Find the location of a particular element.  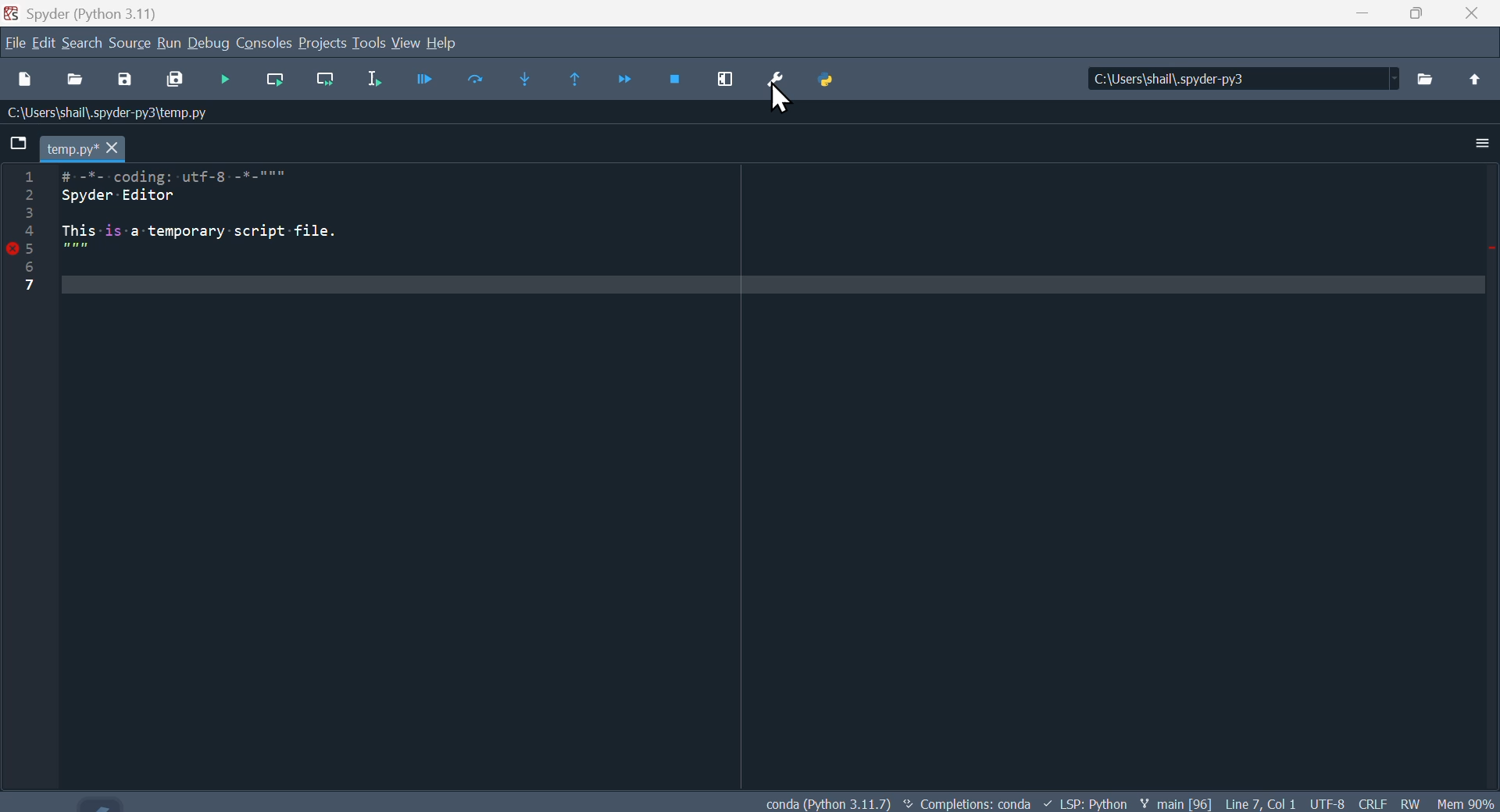

Source is located at coordinates (130, 43).